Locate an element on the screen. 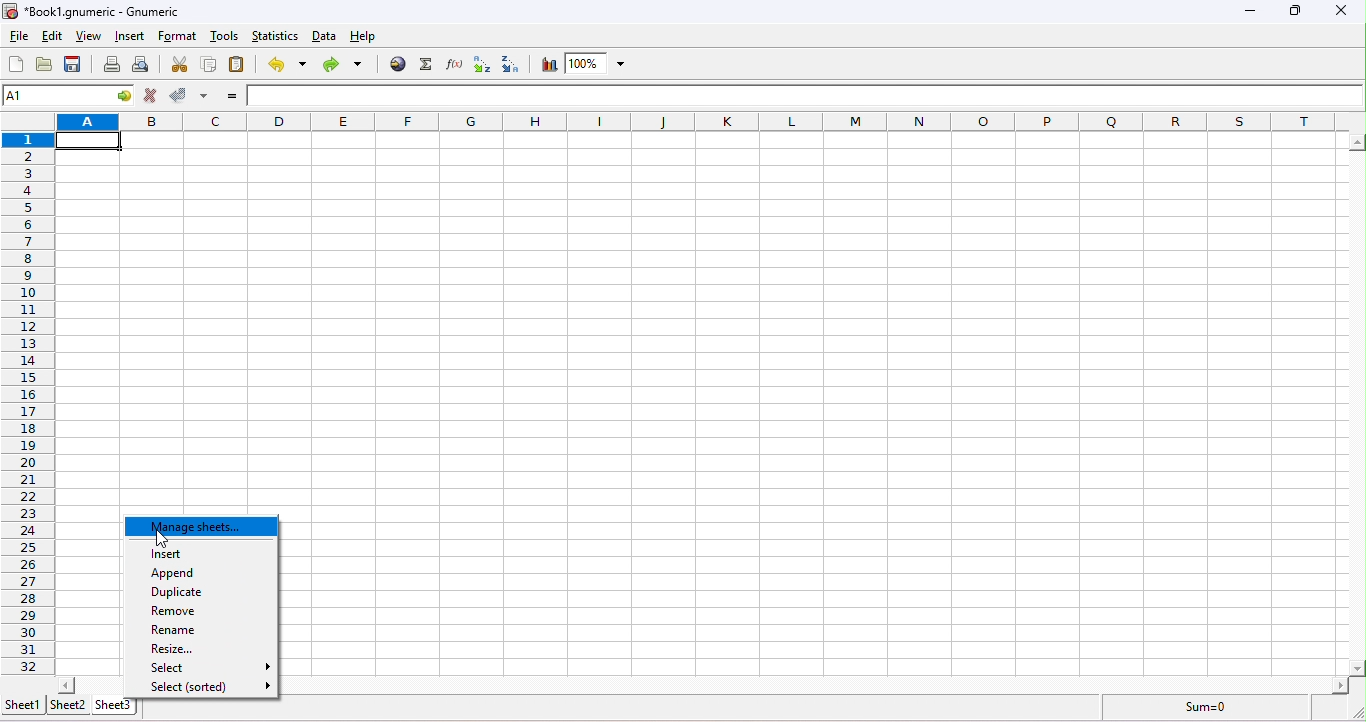  enter formula is located at coordinates (228, 95).